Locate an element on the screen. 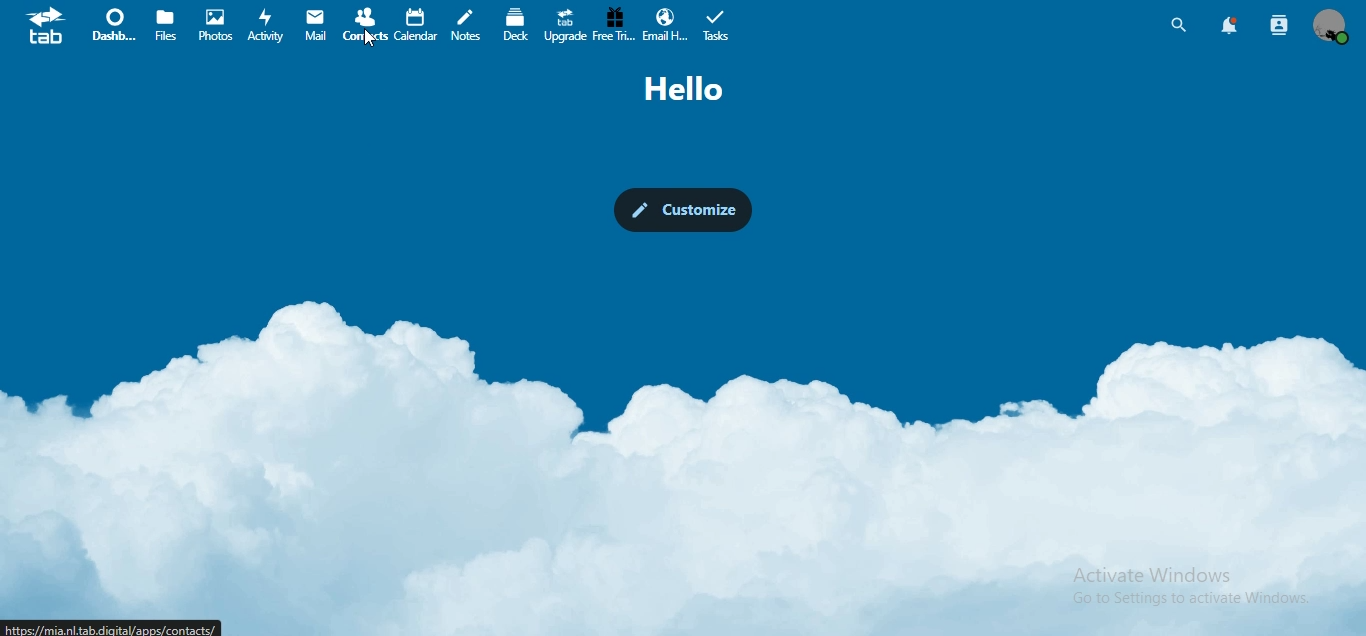  contact is located at coordinates (365, 24).